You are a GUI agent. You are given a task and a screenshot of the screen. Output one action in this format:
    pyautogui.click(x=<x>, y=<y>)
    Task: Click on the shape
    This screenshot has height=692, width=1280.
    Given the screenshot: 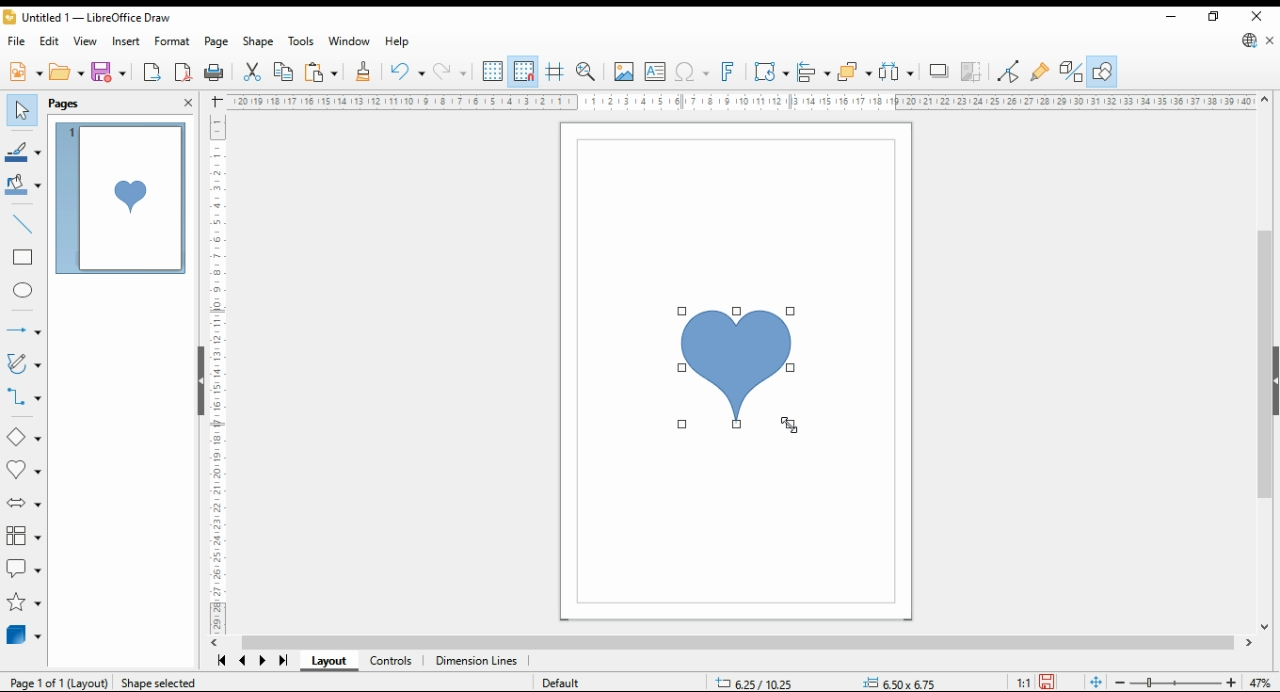 What is the action you would take?
    pyautogui.click(x=258, y=42)
    